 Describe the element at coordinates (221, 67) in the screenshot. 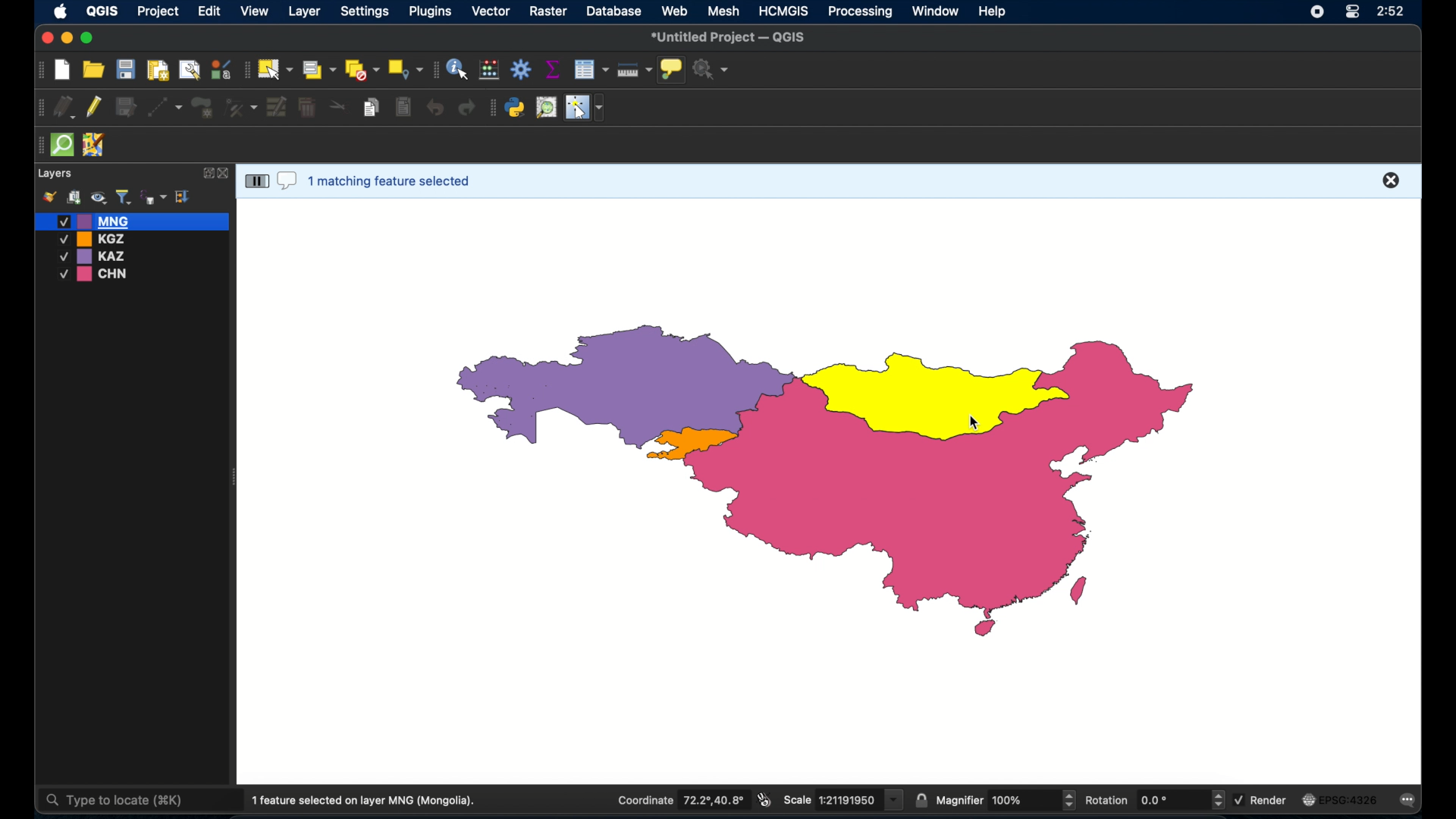

I see `style manager` at that location.